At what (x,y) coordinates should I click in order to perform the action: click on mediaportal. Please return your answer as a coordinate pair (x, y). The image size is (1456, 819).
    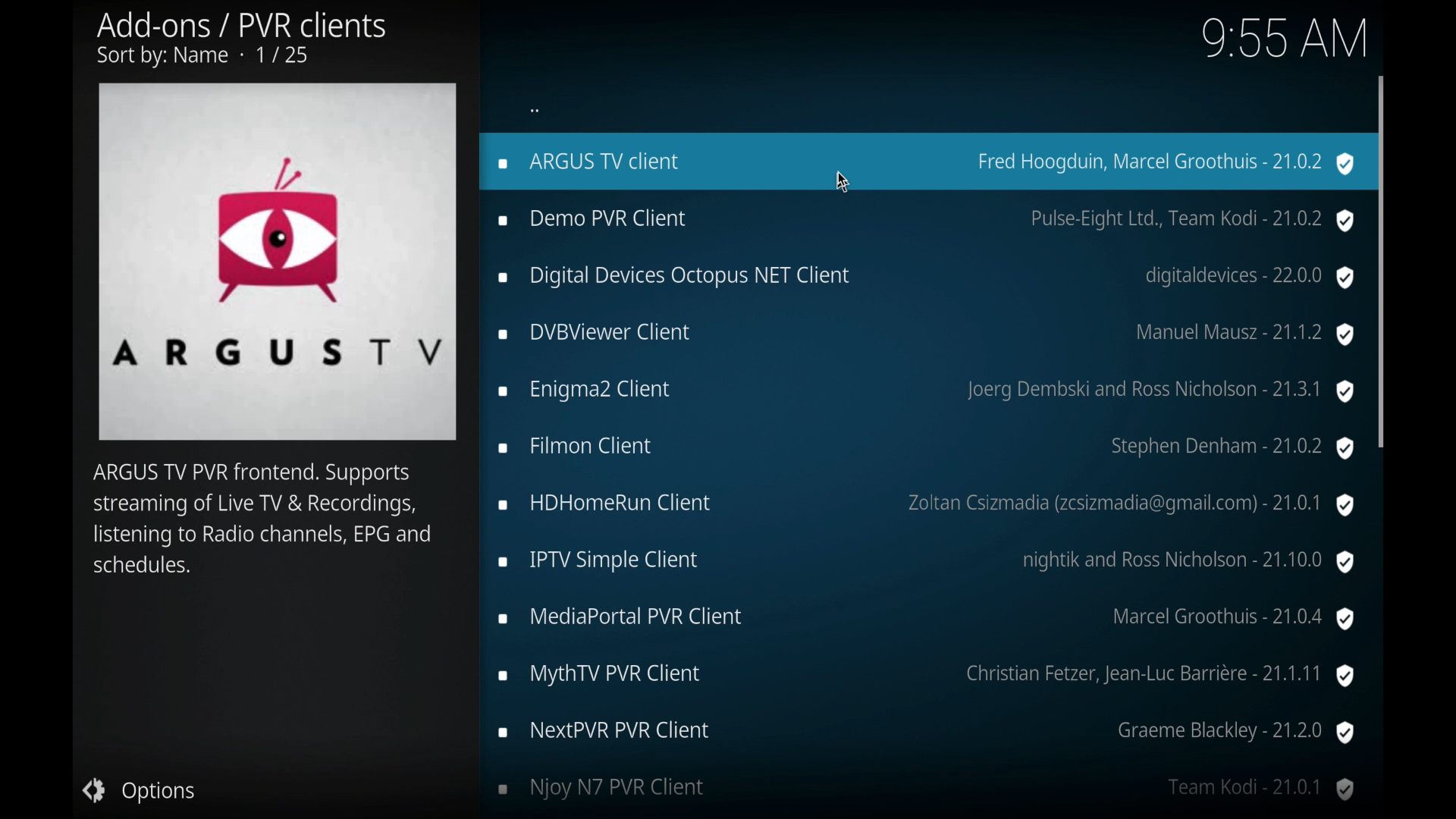
    Looking at the image, I should click on (927, 619).